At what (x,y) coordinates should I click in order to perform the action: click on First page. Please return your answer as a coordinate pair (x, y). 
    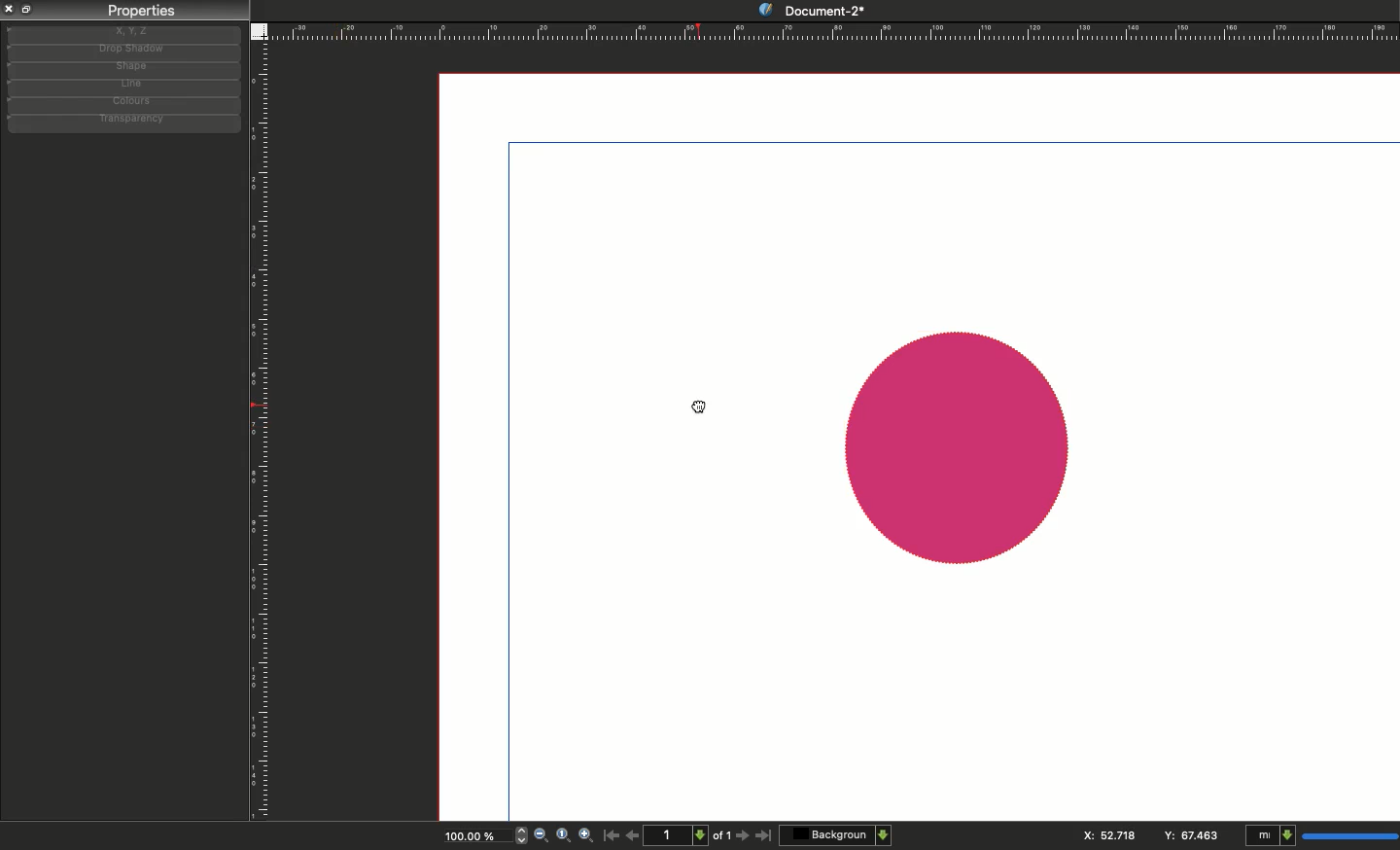
    Looking at the image, I should click on (612, 834).